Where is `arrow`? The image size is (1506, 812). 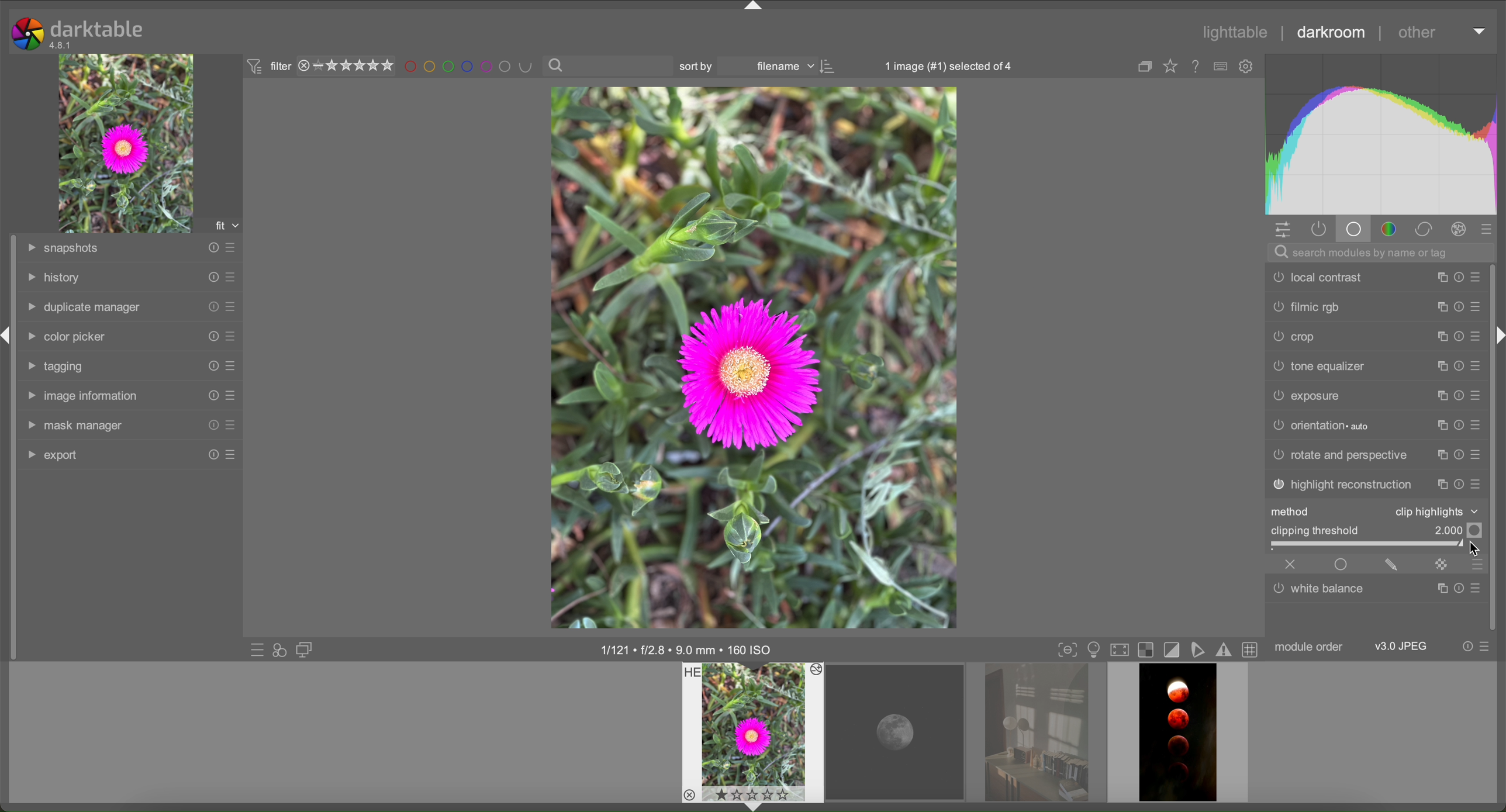
arrow is located at coordinates (1500, 336).